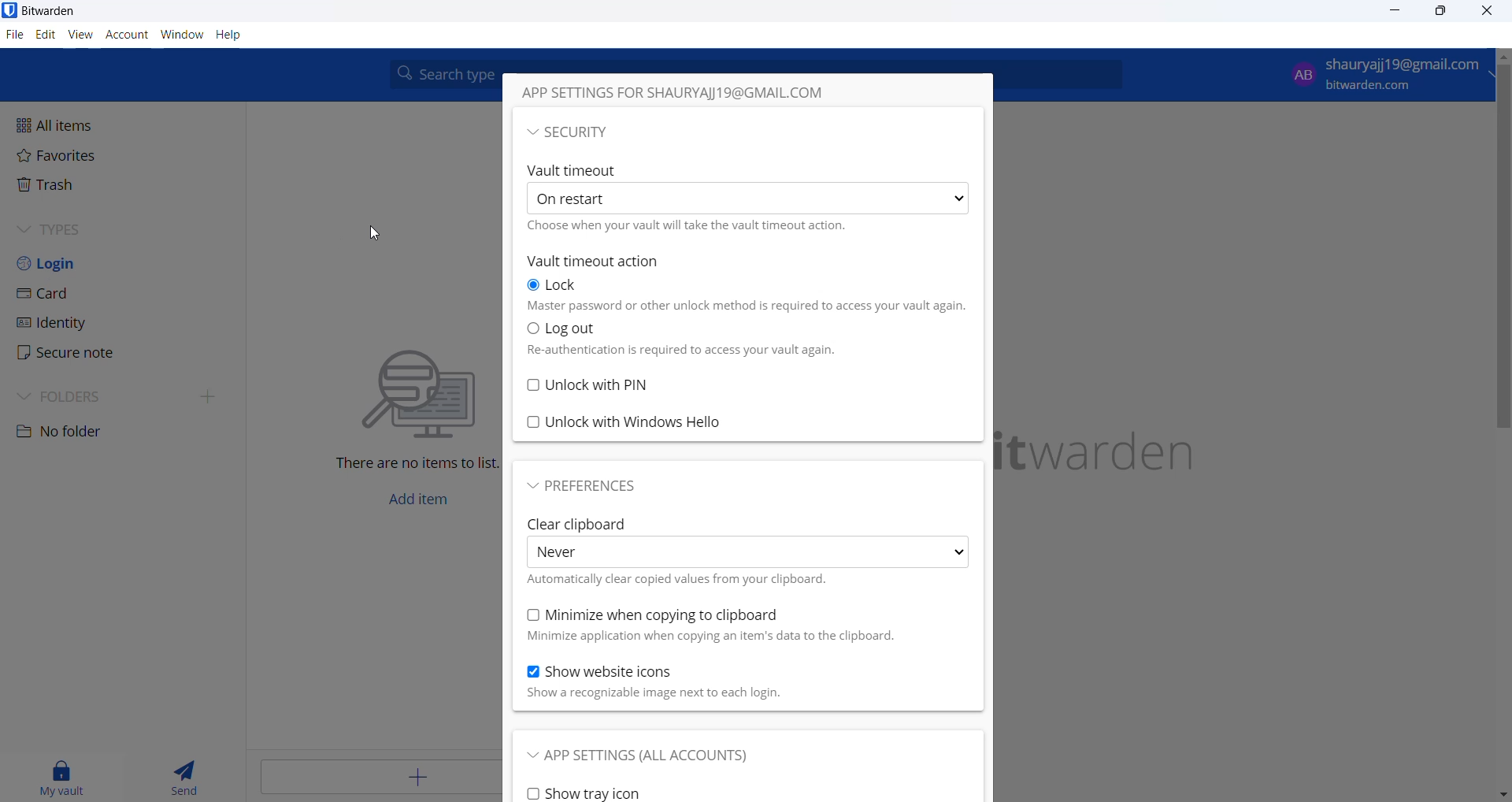  I want to click on window, so click(179, 37).